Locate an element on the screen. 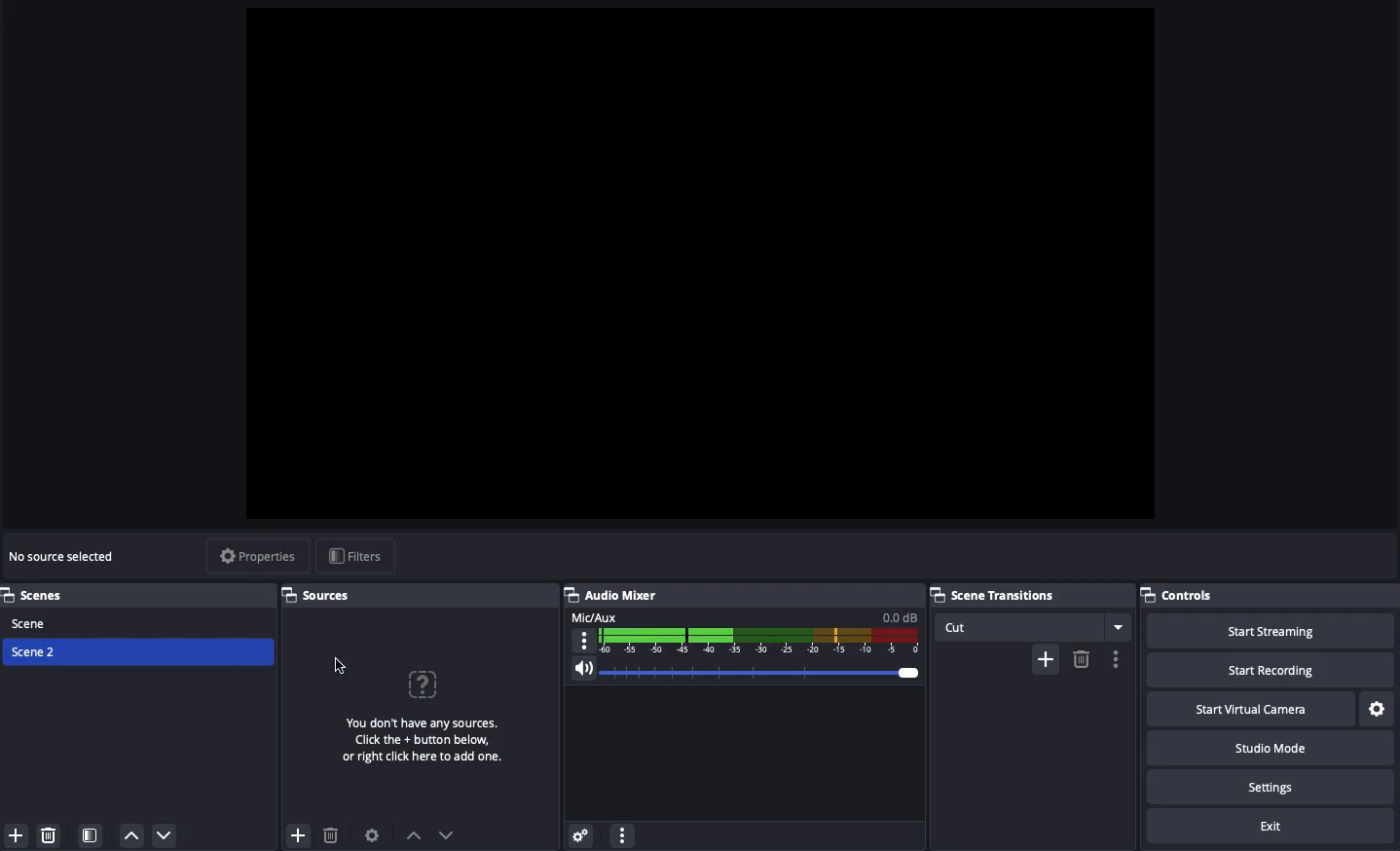  next is located at coordinates (452, 834).